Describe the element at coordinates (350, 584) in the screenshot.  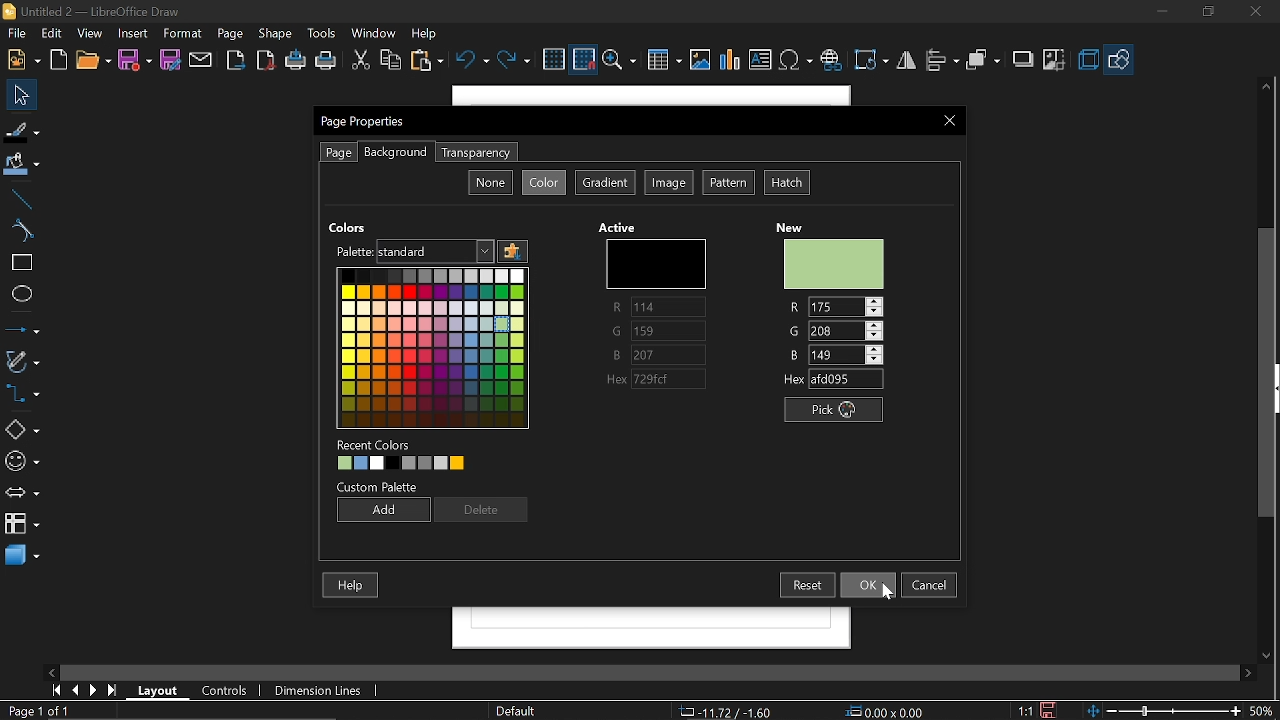
I see `Help` at that location.